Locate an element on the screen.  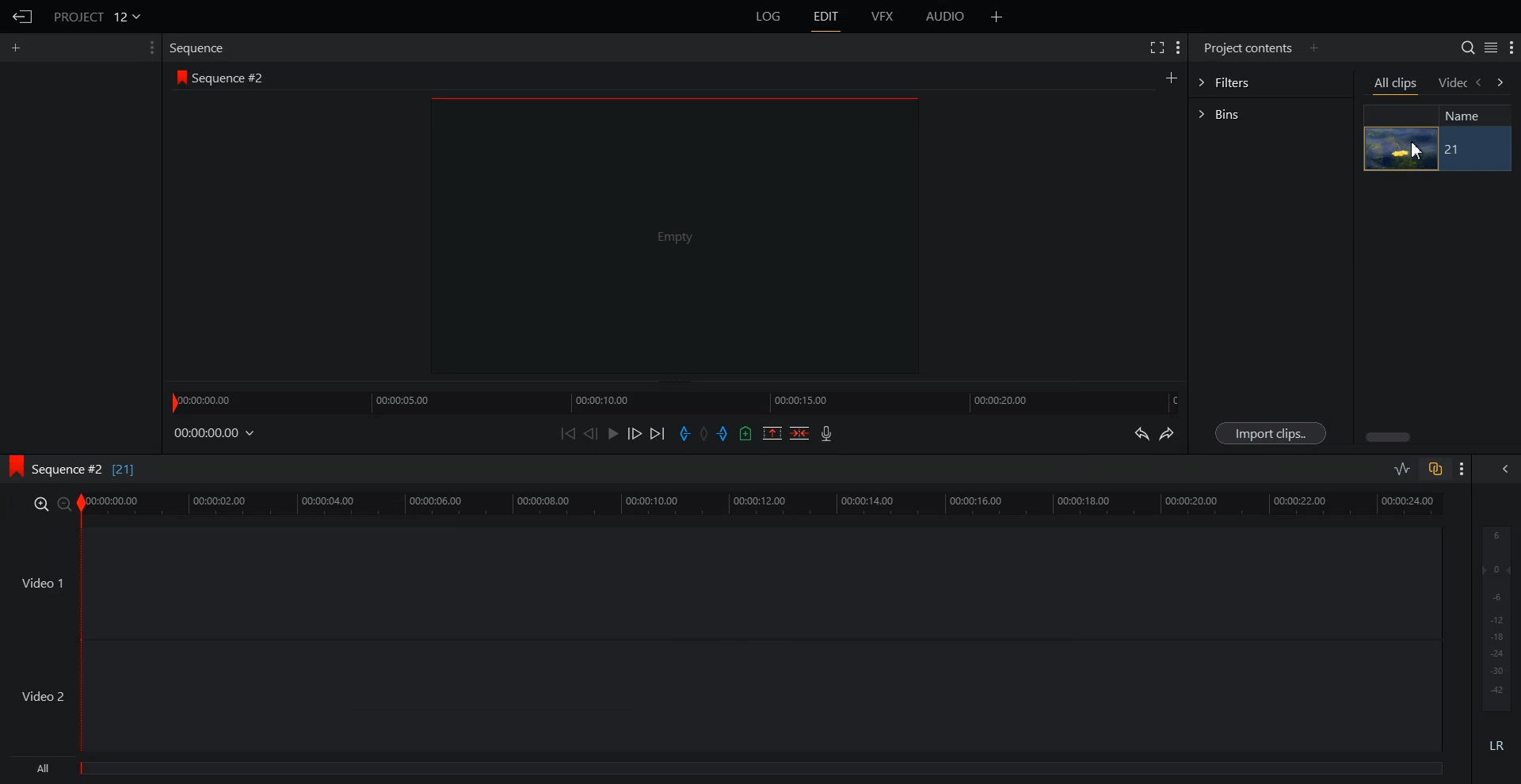
Nudge One Frame Back is located at coordinates (592, 433).